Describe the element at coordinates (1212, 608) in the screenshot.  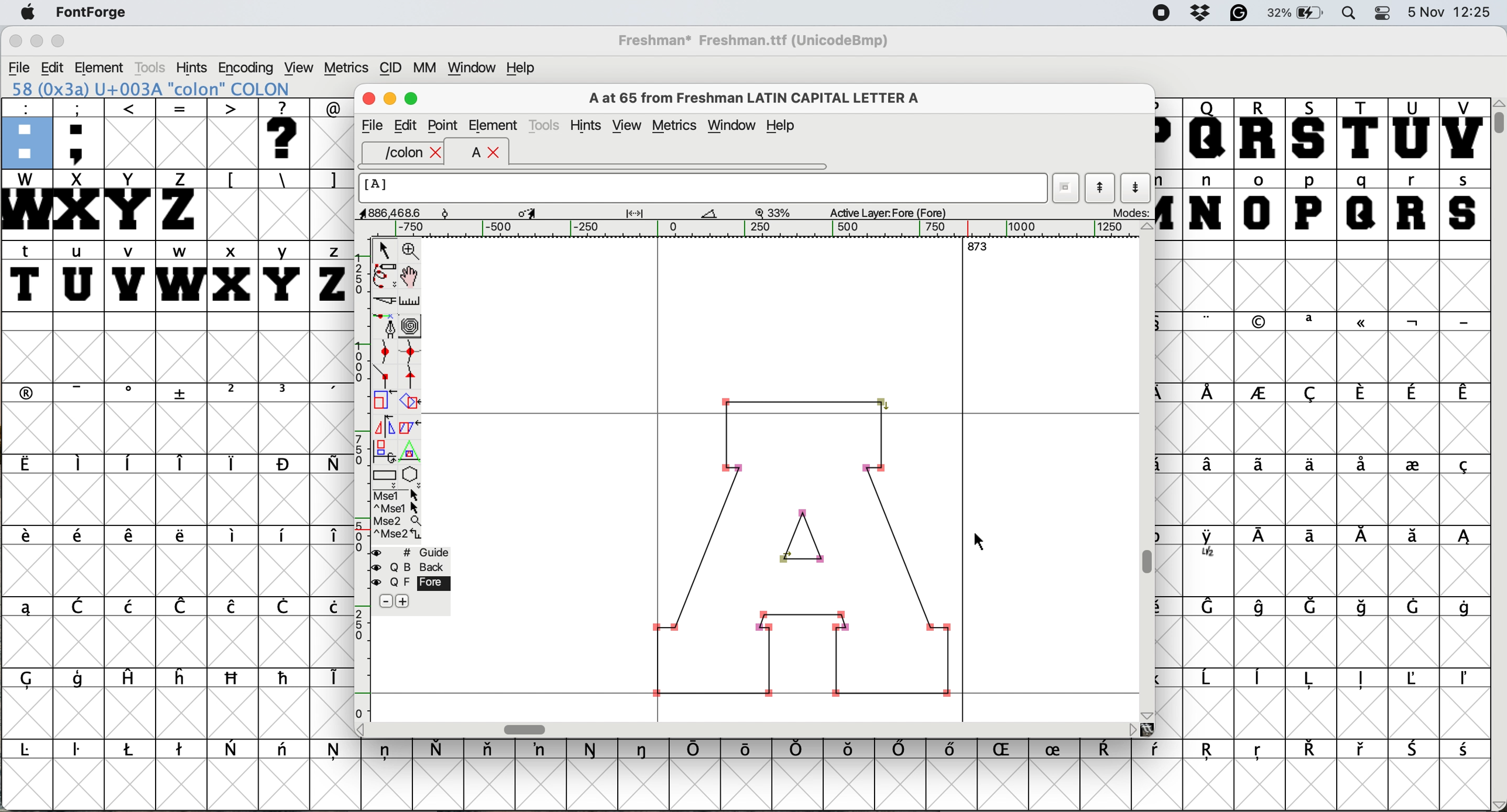
I see `symbol` at that location.